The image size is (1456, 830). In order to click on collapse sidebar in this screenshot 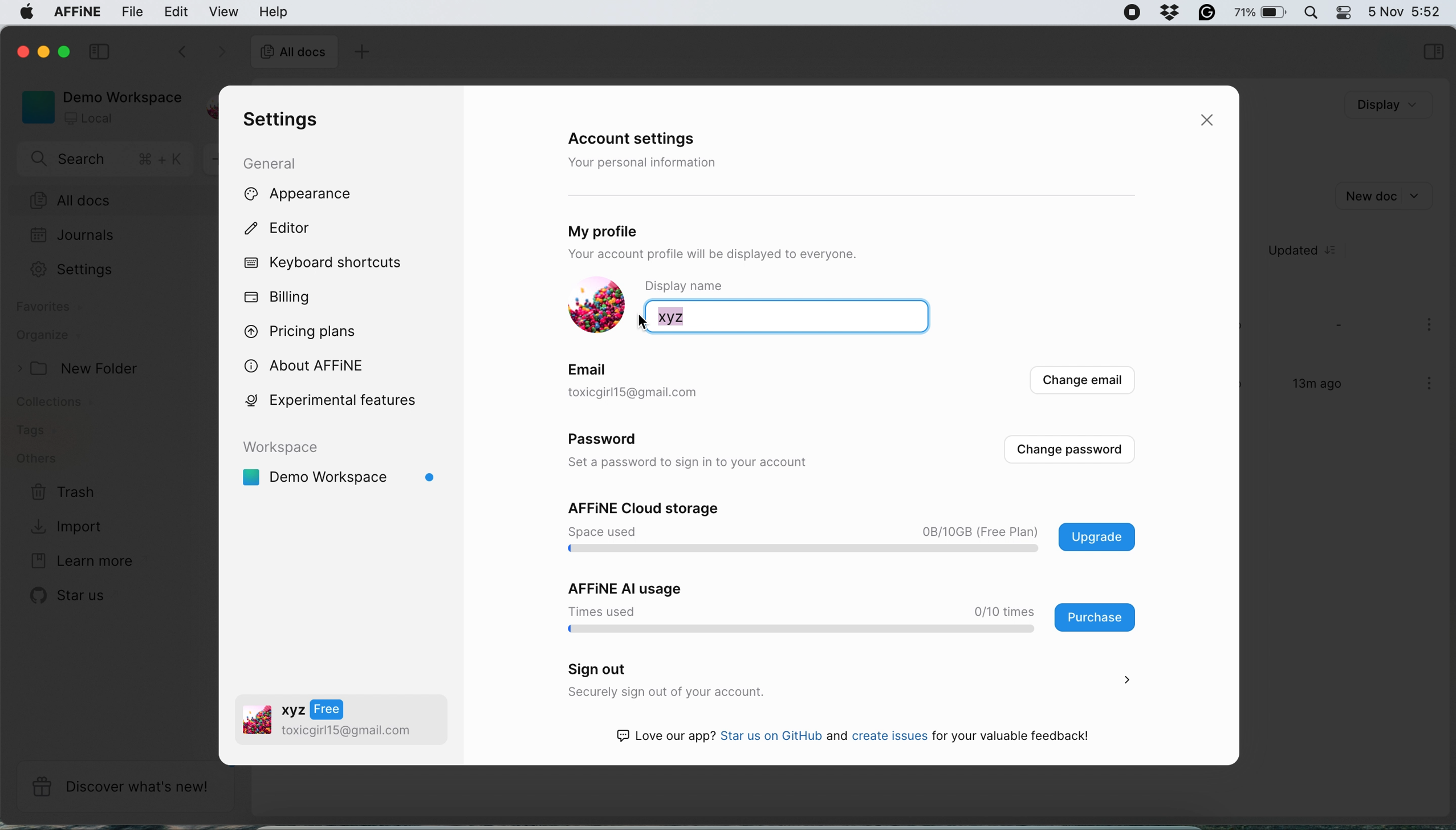, I will do `click(102, 50)`.